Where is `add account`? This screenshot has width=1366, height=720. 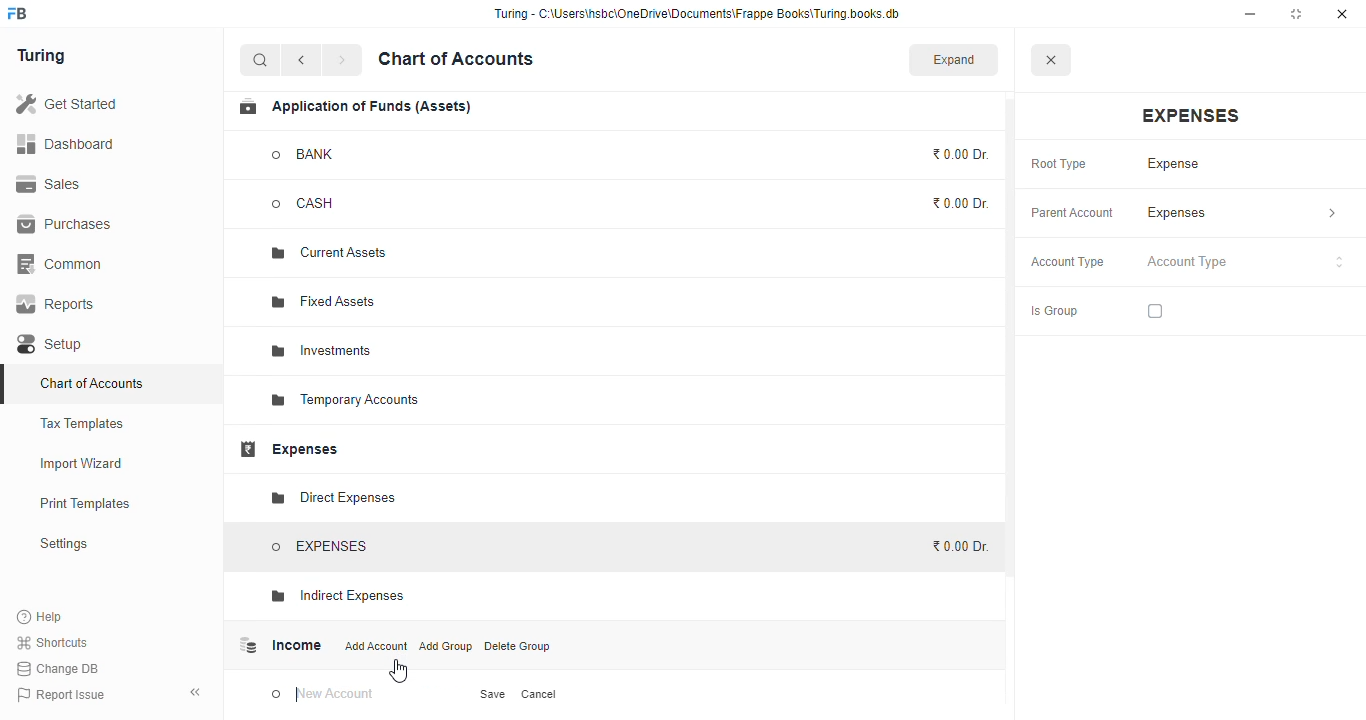 add account is located at coordinates (376, 645).